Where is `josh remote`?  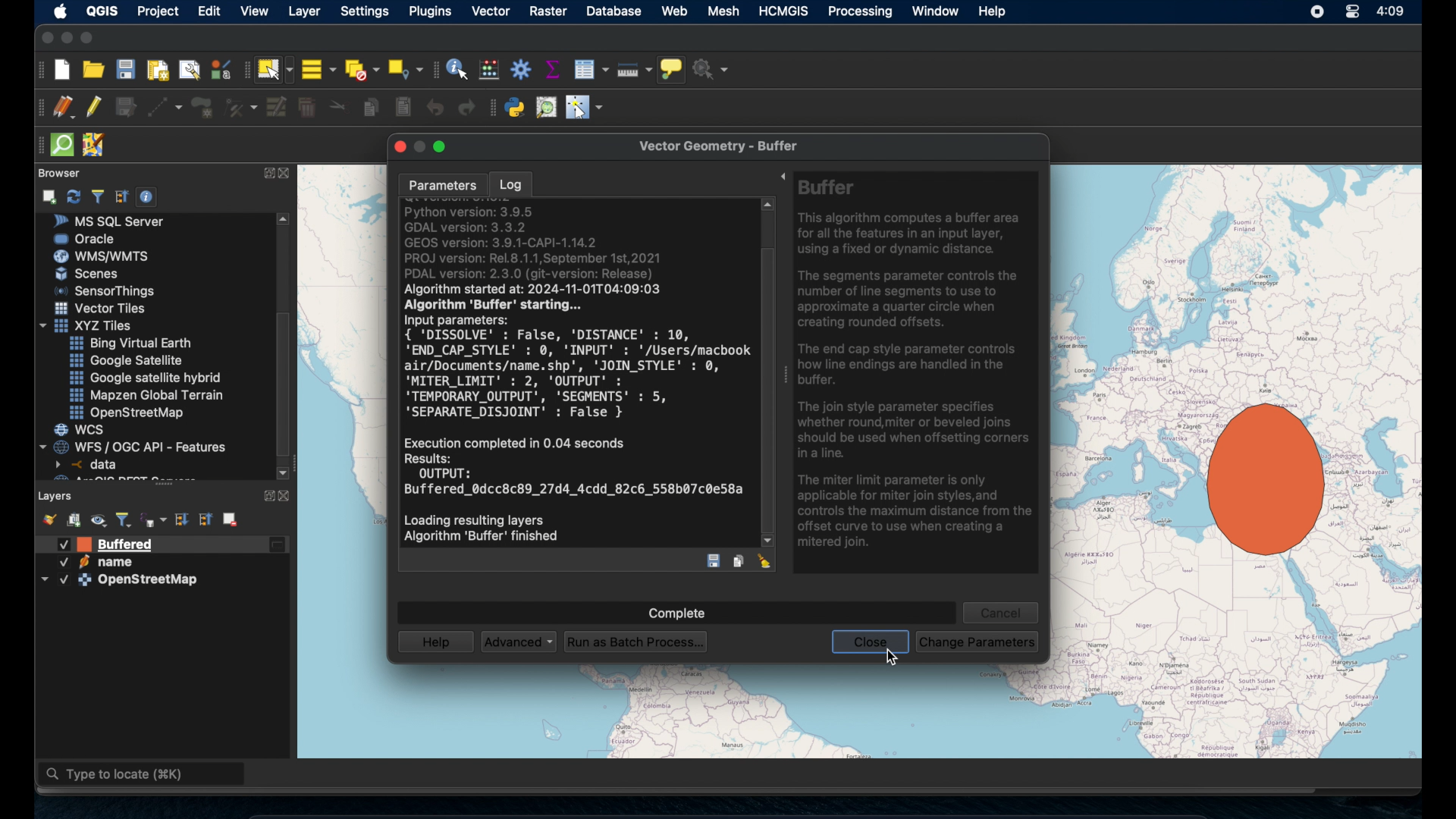
josh remote is located at coordinates (97, 146).